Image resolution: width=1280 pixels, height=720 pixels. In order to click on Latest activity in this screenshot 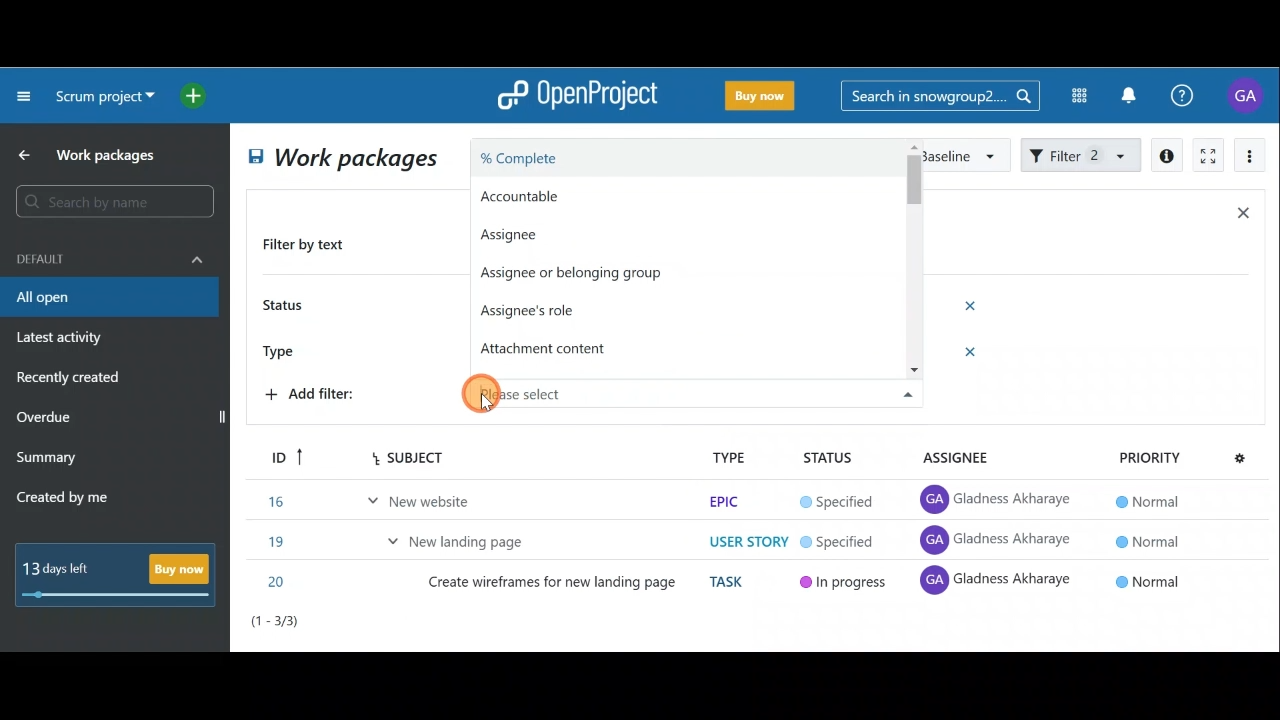, I will do `click(62, 340)`.